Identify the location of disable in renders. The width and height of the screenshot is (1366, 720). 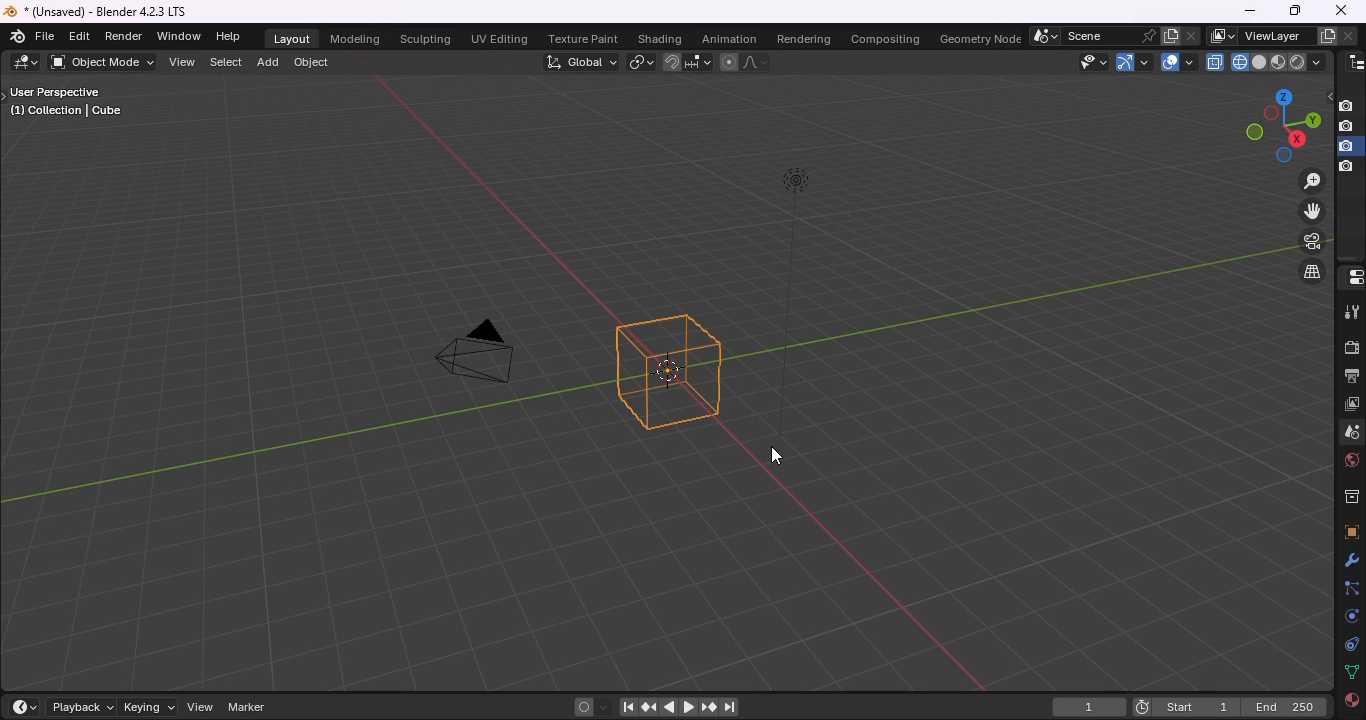
(1350, 105).